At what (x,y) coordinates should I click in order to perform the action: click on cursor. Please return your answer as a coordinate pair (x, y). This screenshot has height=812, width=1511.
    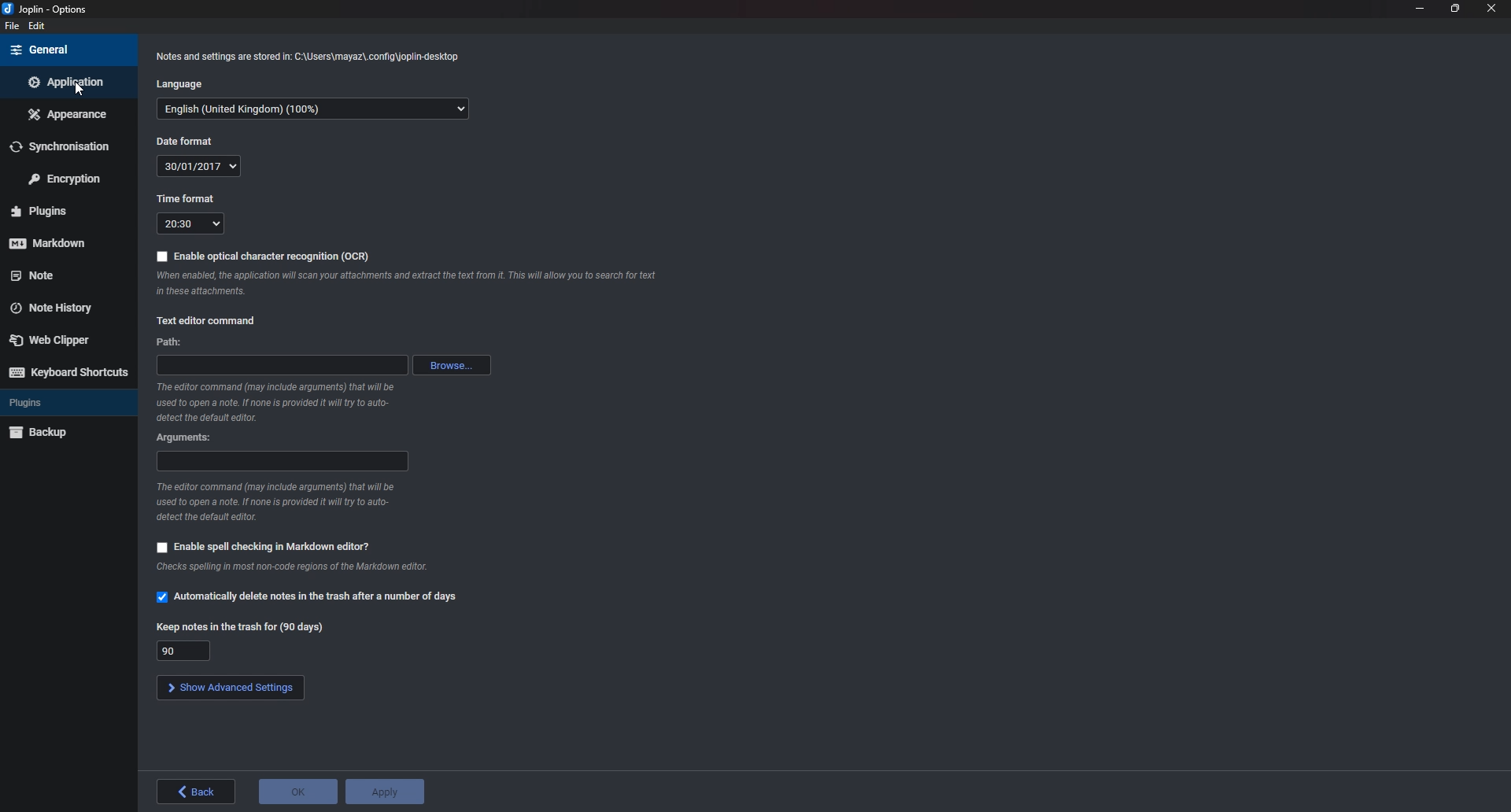
    Looking at the image, I should click on (79, 91).